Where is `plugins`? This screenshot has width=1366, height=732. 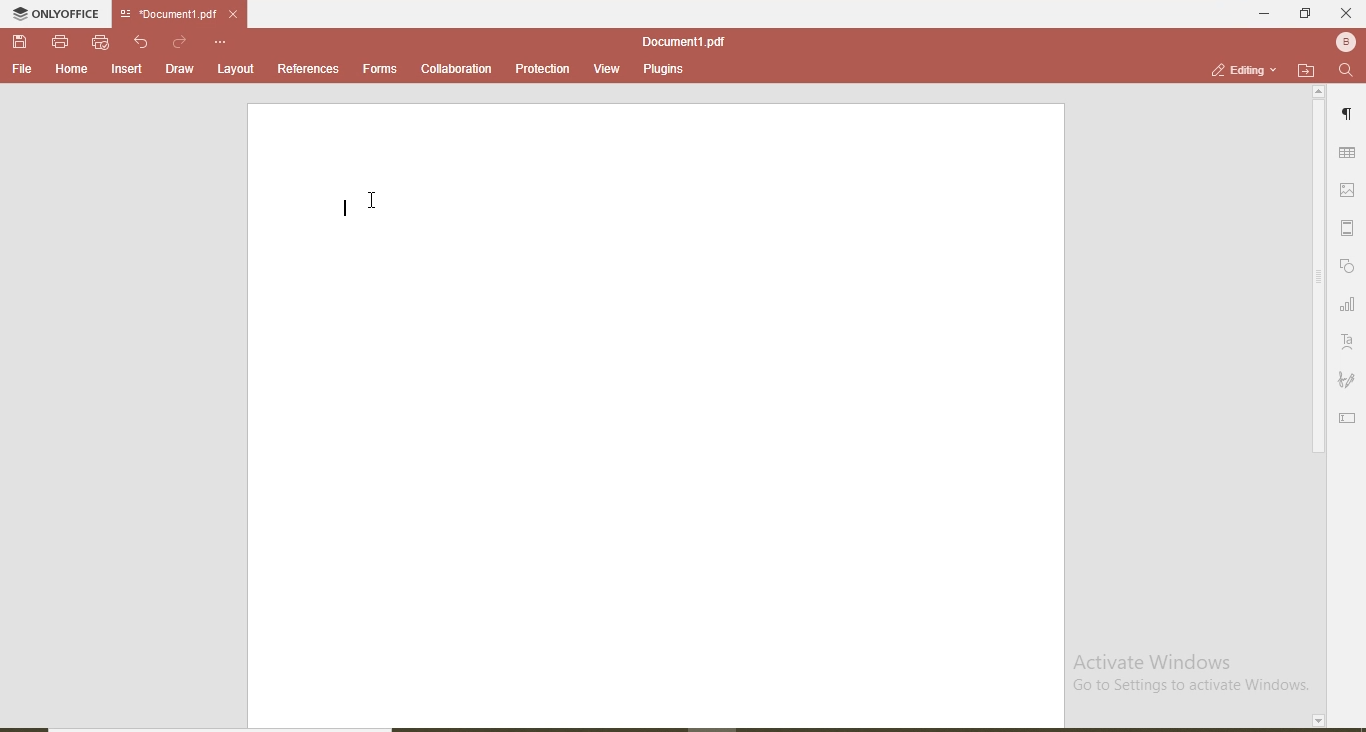
plugins is located at coordinates (662, 71).